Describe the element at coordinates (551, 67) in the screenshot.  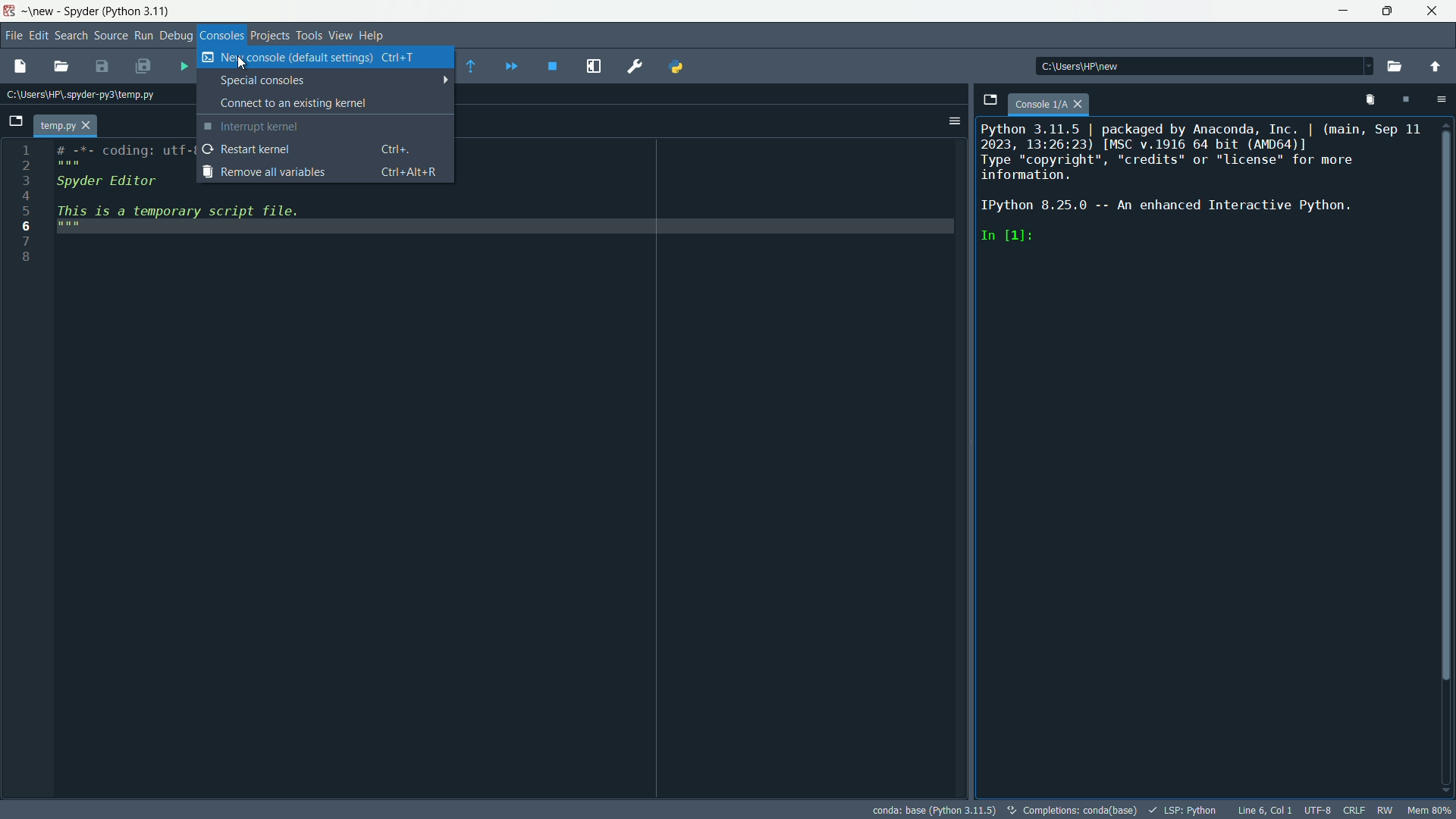
I see `stop debugging` at that location.